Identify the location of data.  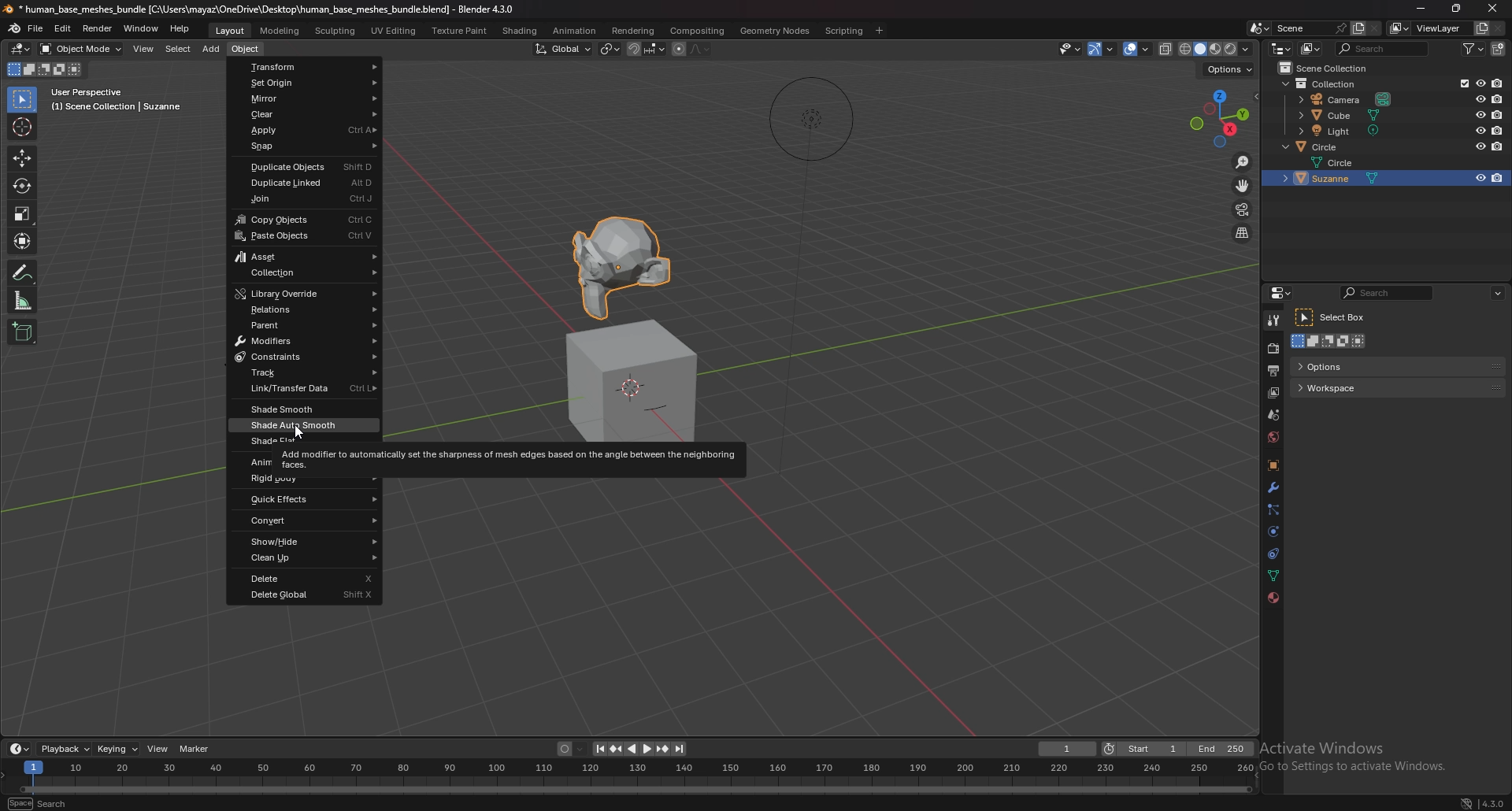
(1274, 576).